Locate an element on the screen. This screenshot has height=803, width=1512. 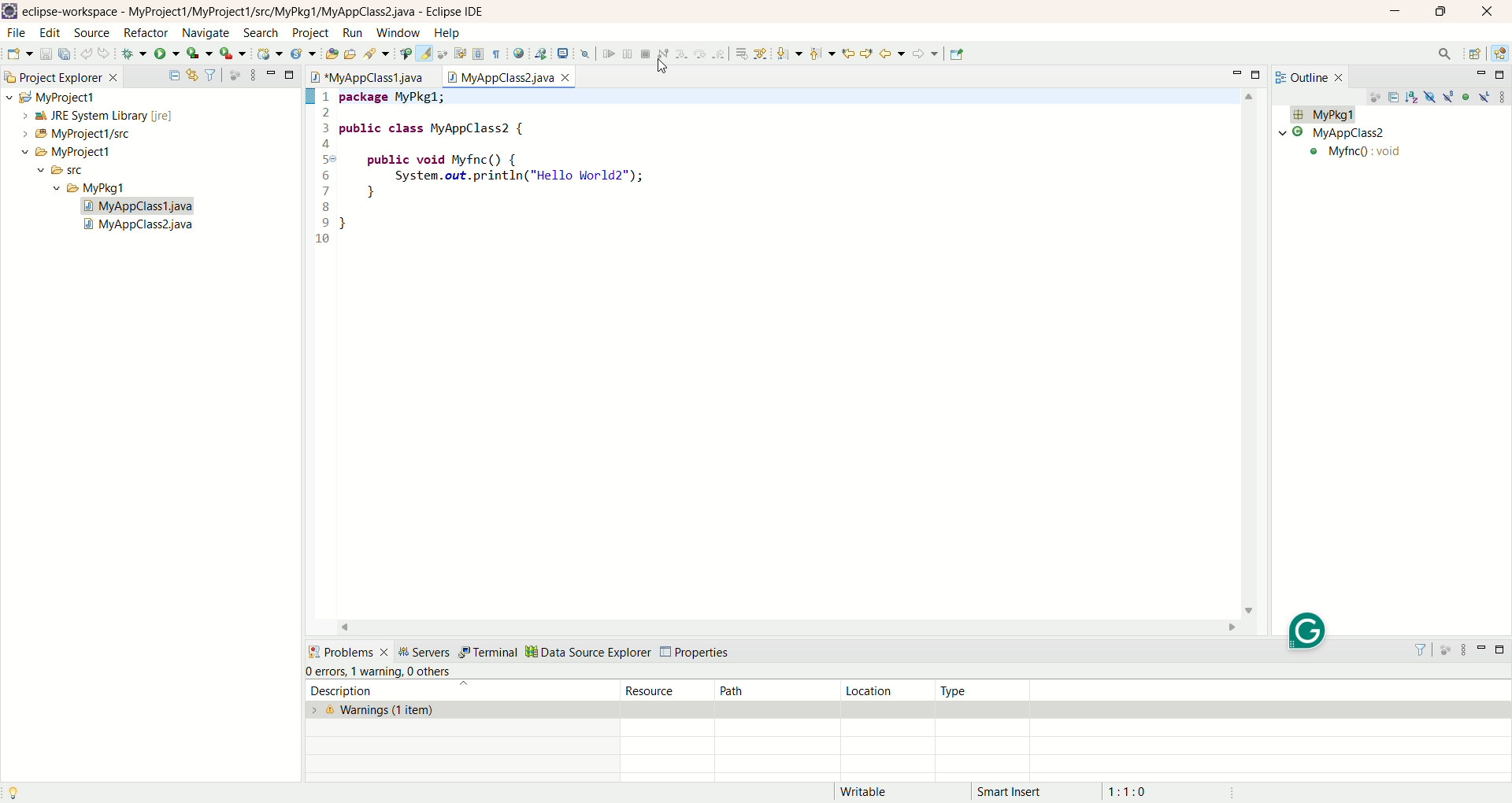
source is located at coordinates (94, 34).